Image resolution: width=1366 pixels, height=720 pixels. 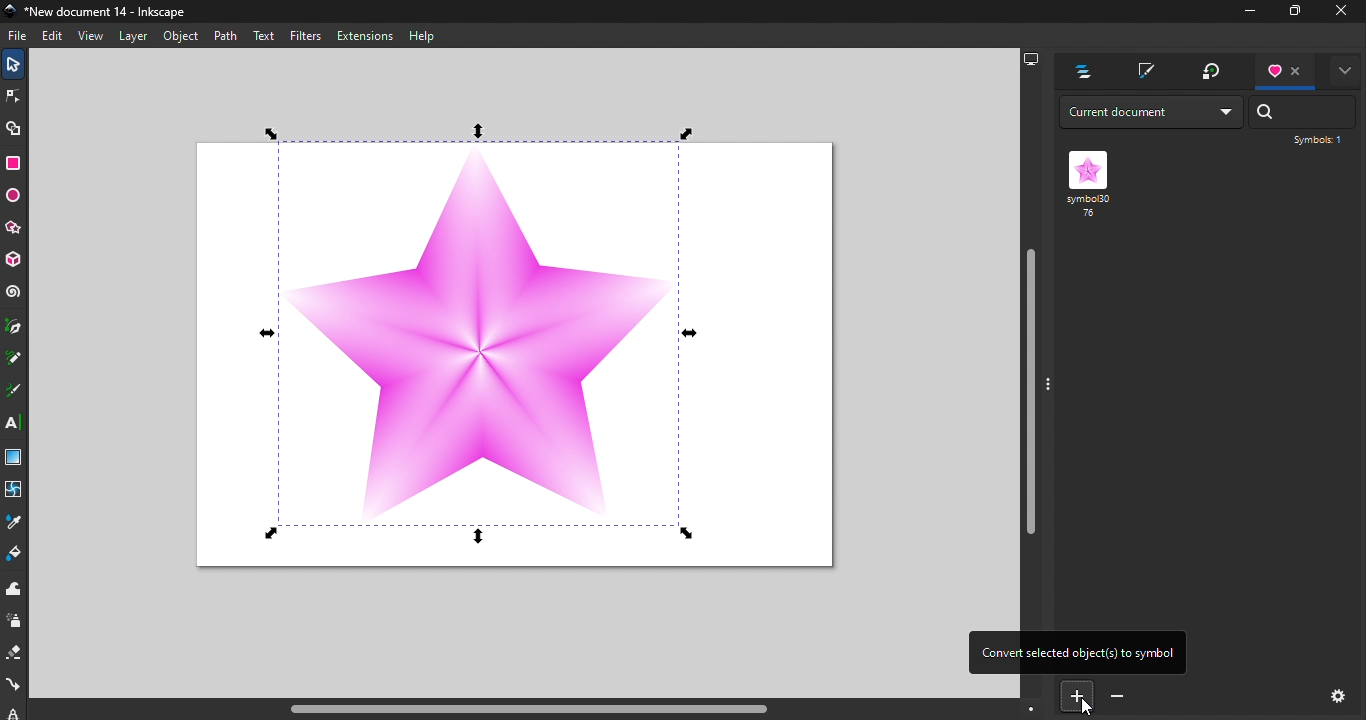 I want to click on Mesh tool, so click(x=13, y=490).